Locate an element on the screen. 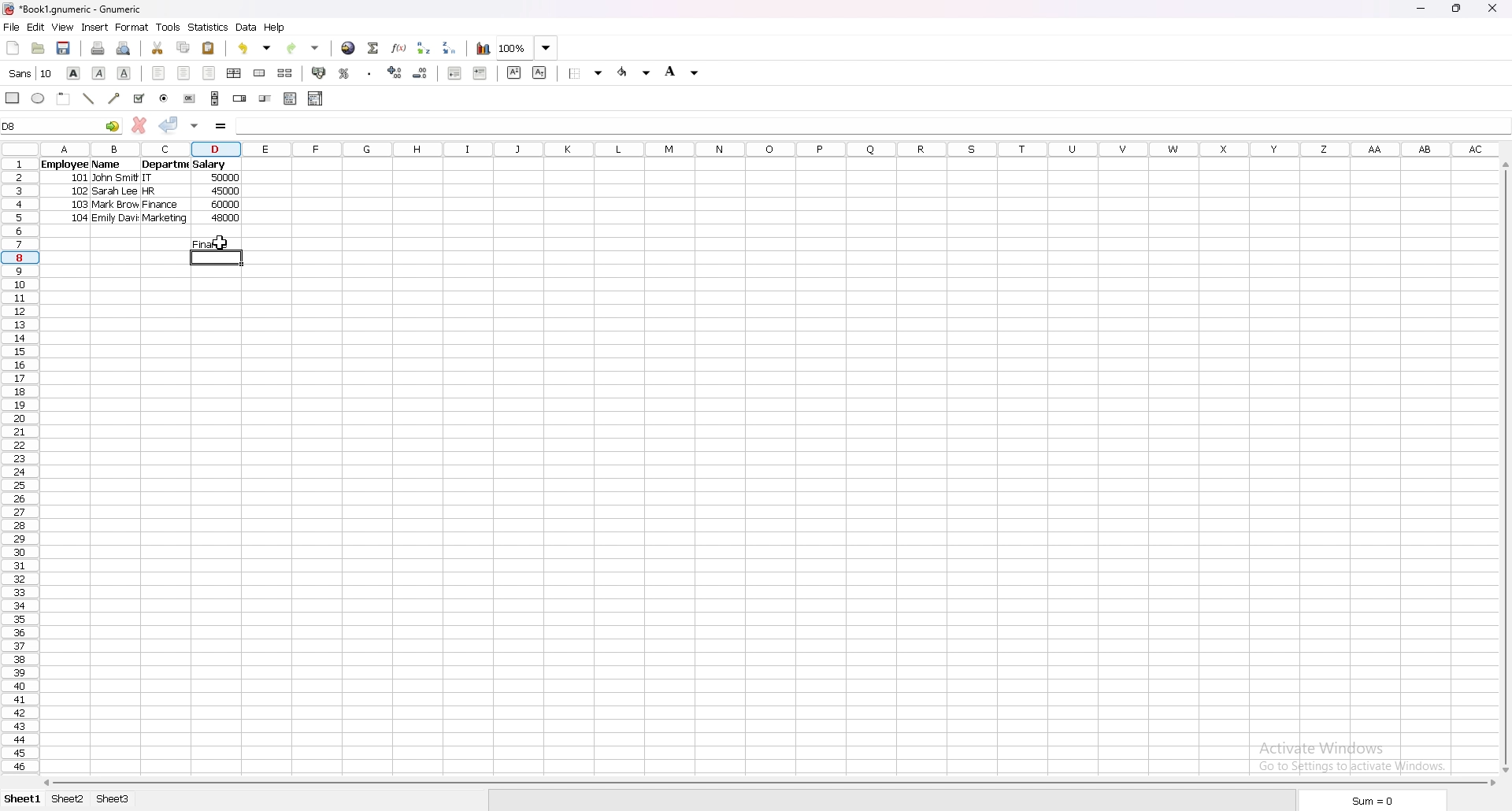  Sans 10 is located at coordinates (29, 74).